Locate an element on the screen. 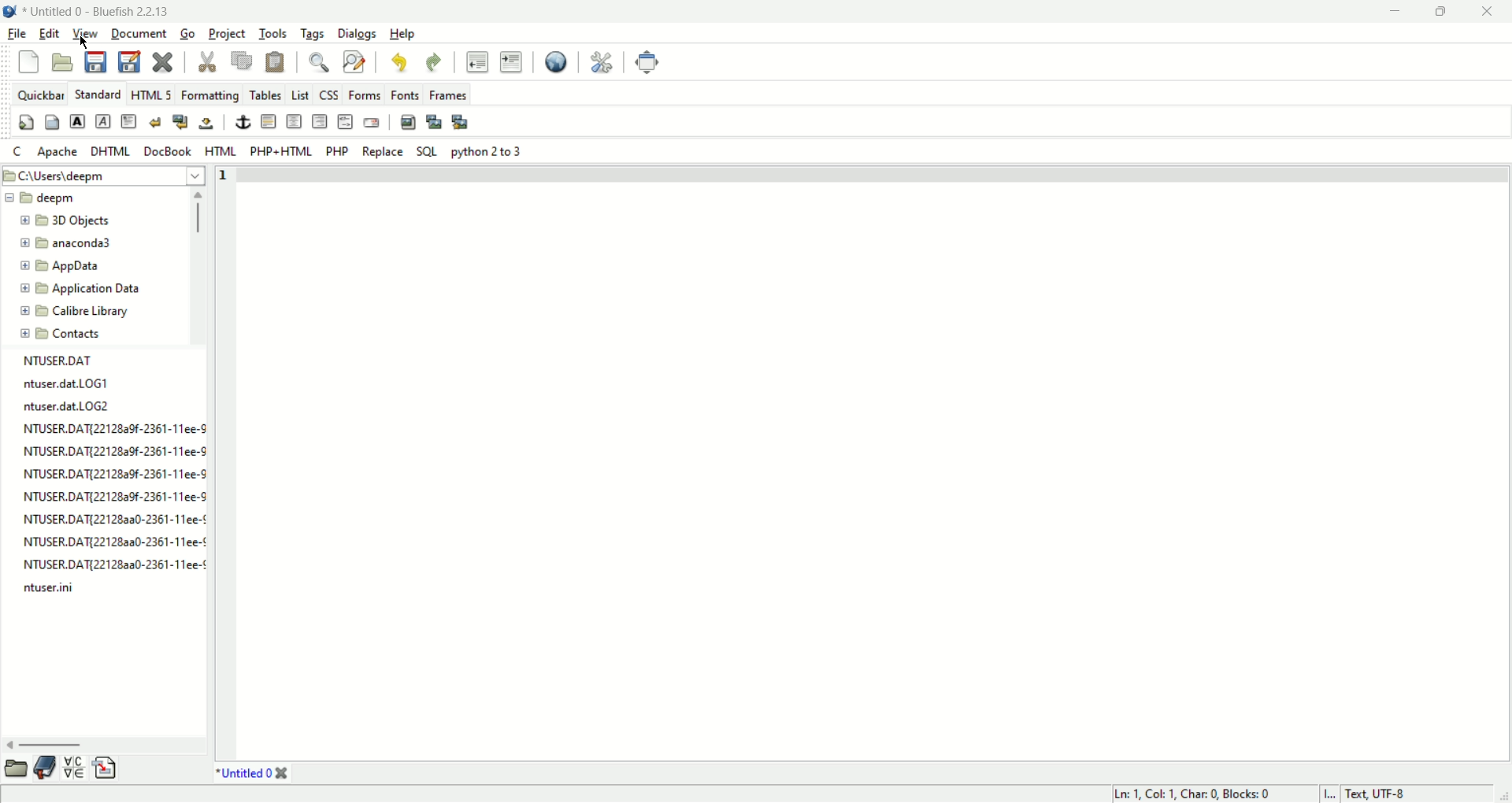 The width and height of the screenshot is (1512, 803). close is located at coordinates (1492, 9).